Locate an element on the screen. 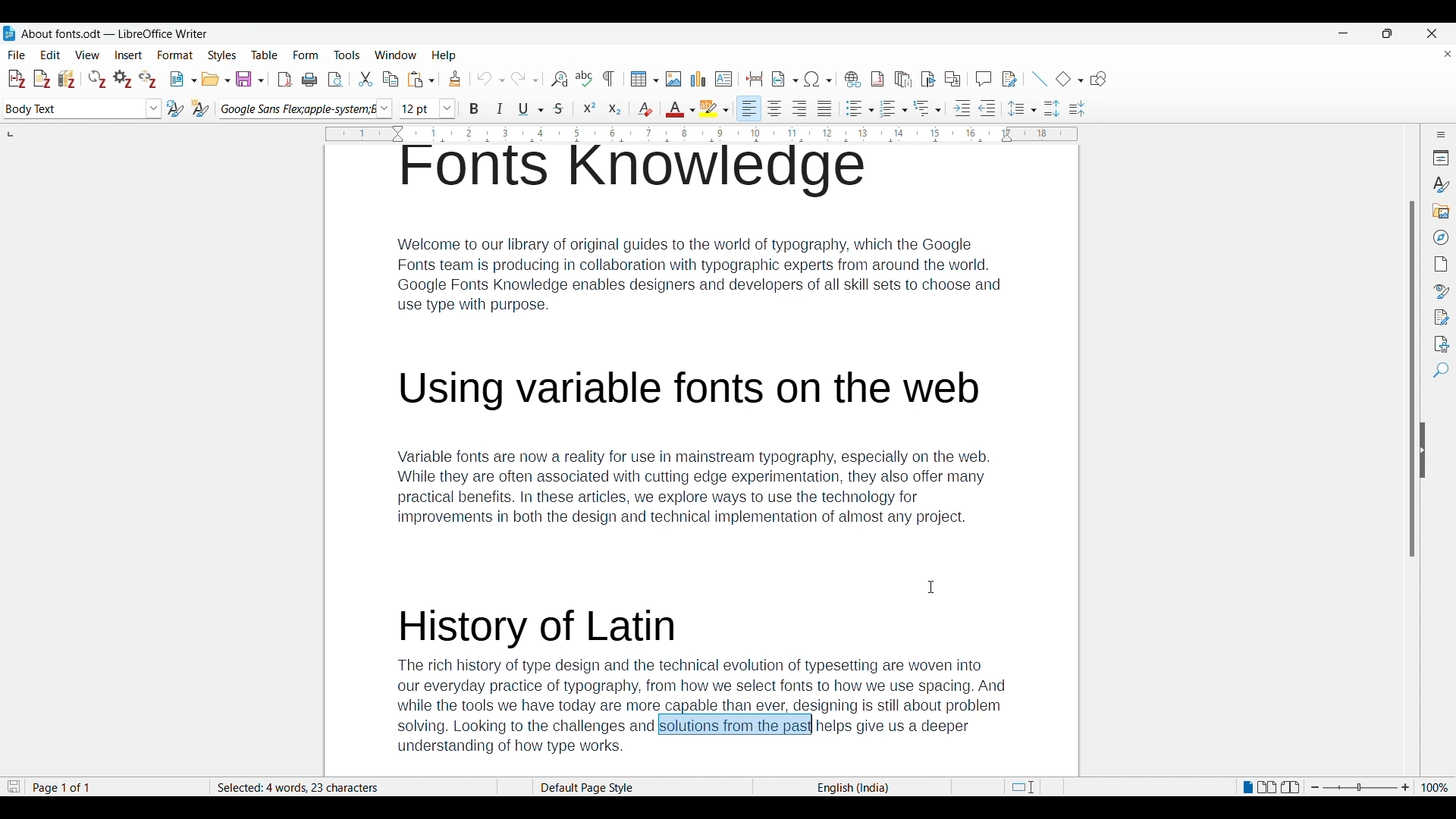 The width and height of the screenshot is (1456, 819). Align left, current selection, highlighted is located at coordinates (749, 108).